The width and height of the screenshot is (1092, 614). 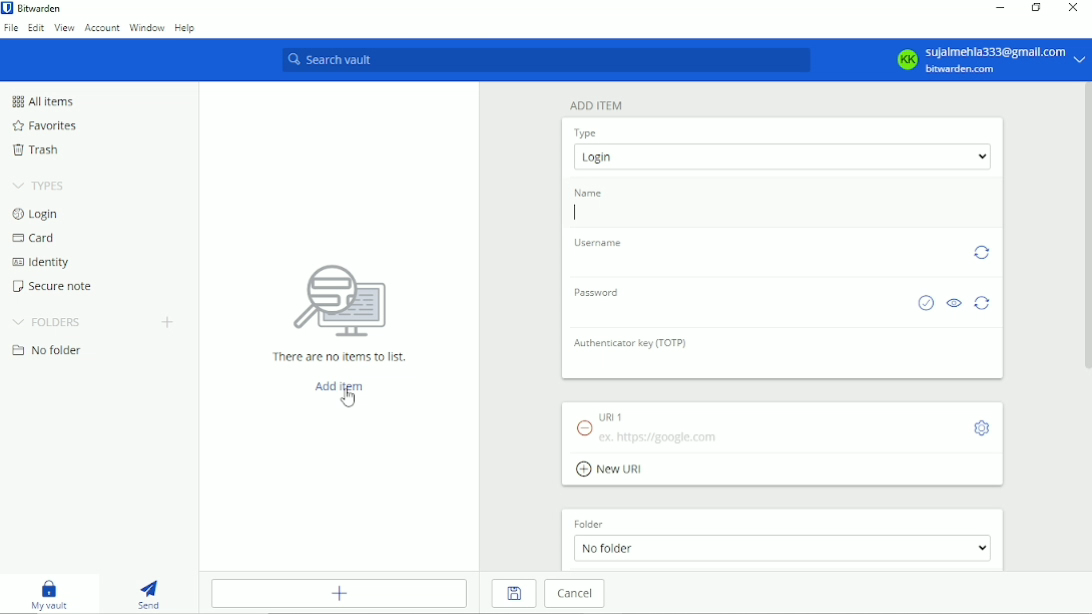 What do you see at coordinates (38, 149) in the screenshot?
I see `Trash` at bounding box center [38, 149].